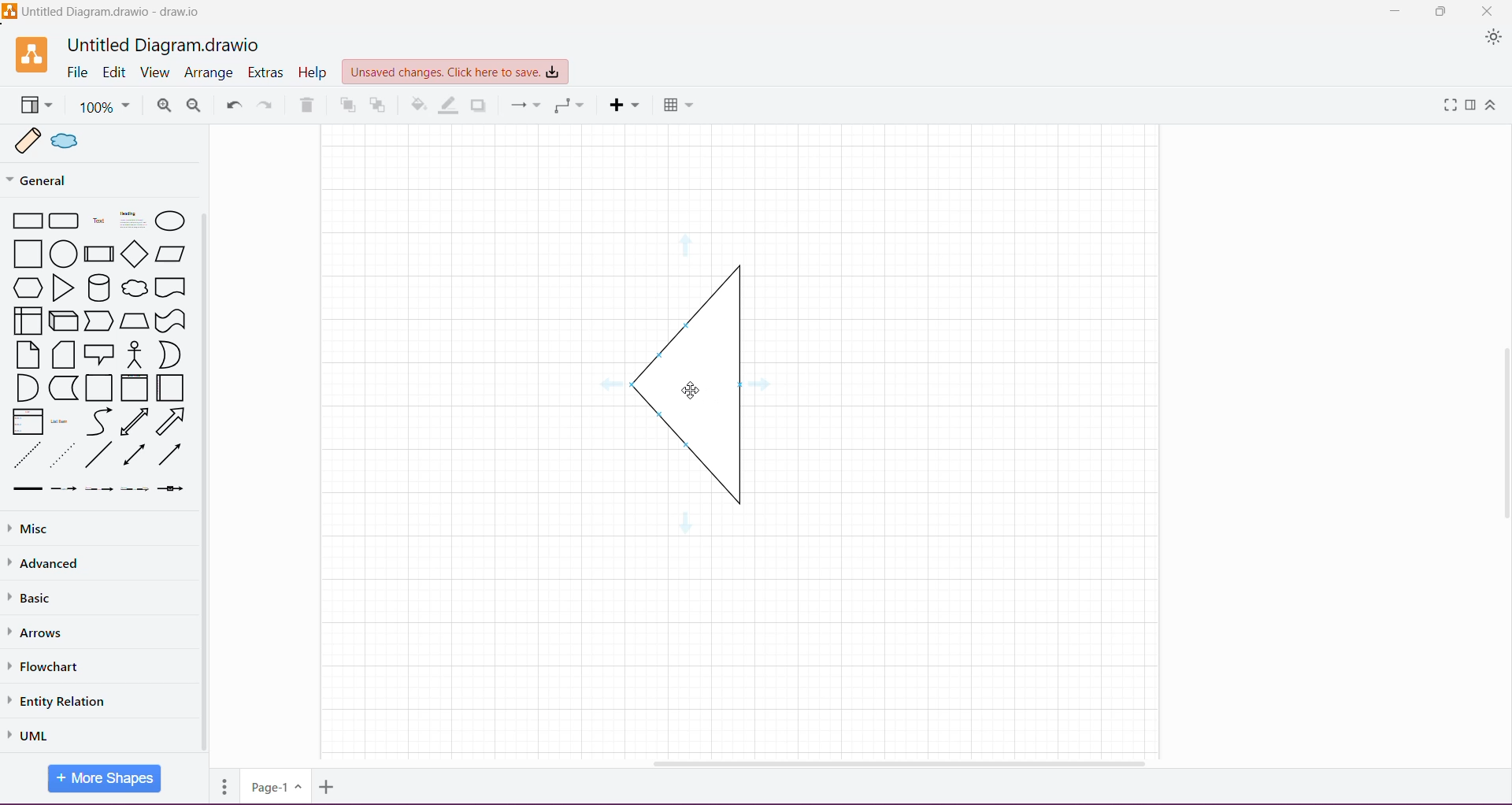  Describe the element at coordinates (480, 106) in the screenshot. I see `Shadow` at that location.